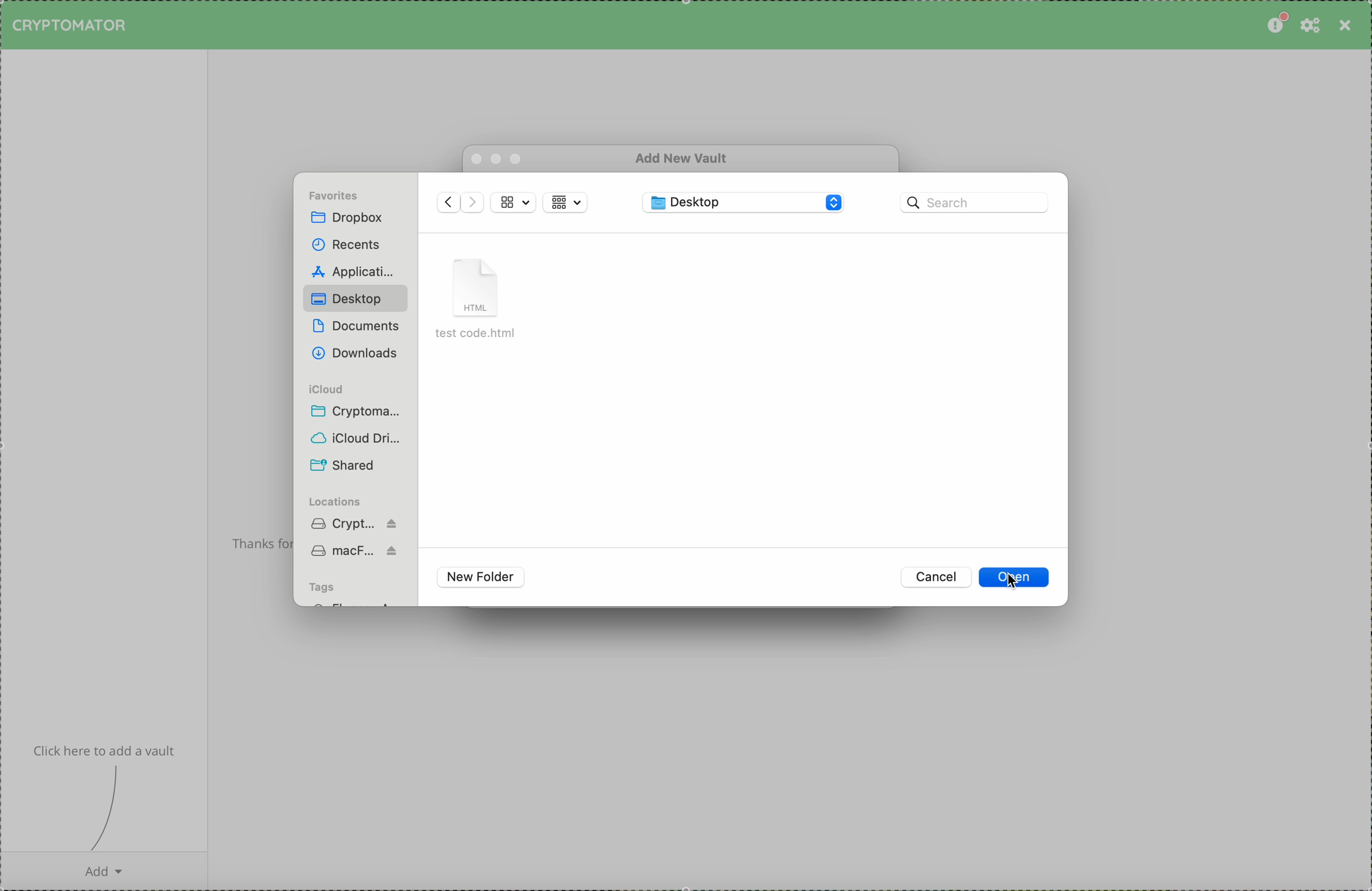 This screenshot has width=1372, height=891. I want to click on new folder buttoon, so click(484, 578).